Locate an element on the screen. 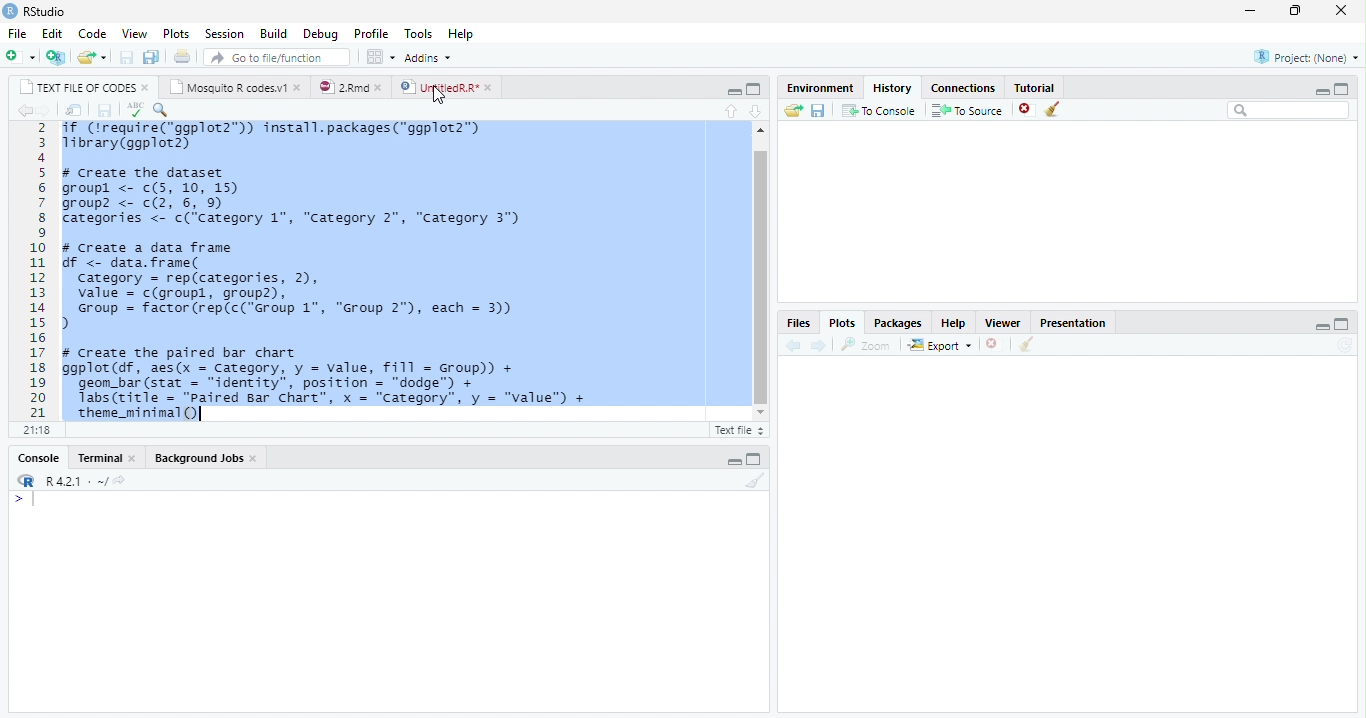 The width and height of the screenshot is (1366, 718). connections is located at coordinates (962, 88).